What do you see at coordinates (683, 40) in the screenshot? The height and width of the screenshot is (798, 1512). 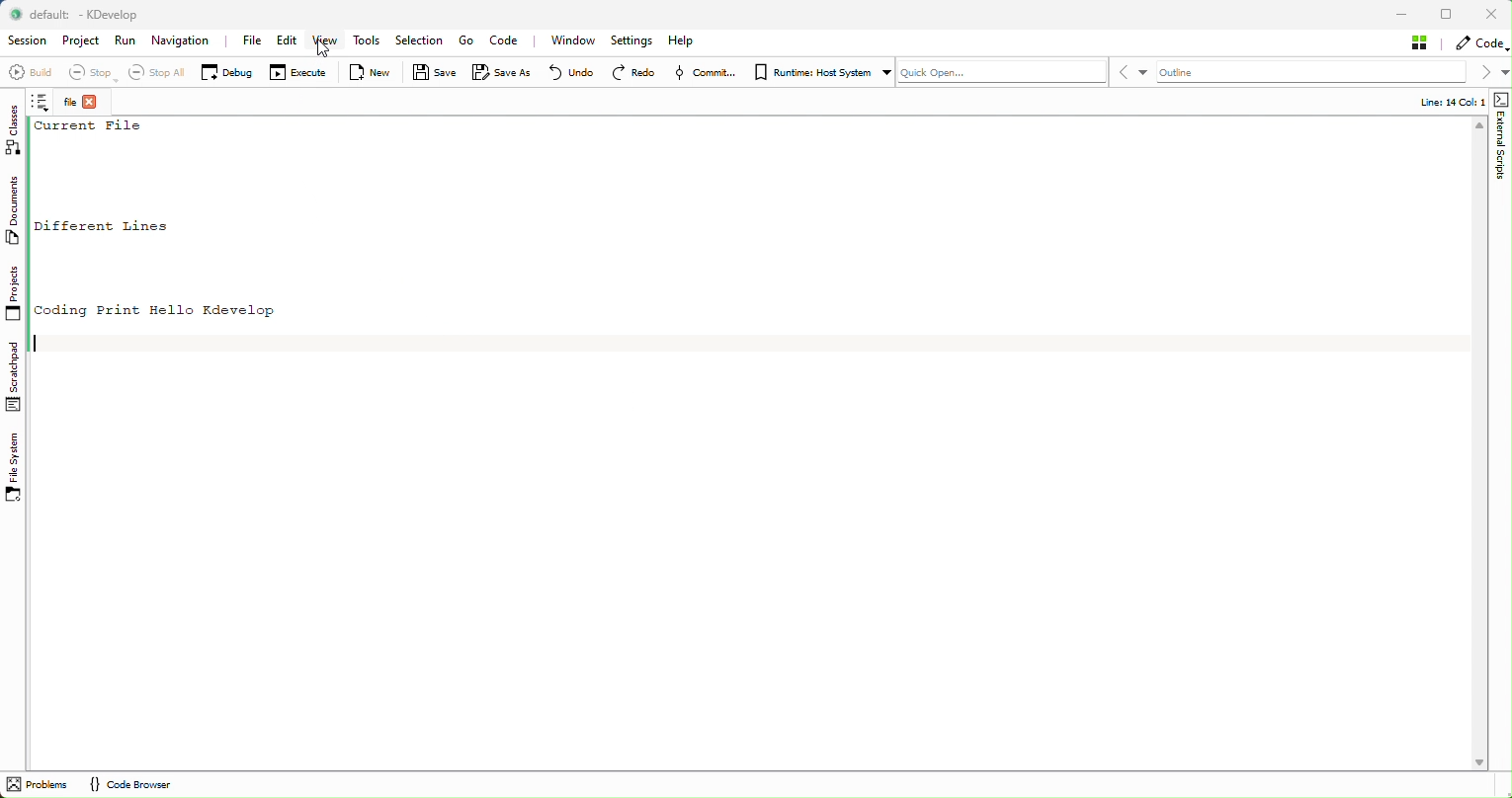 I see `Help` at bounding box center [683, 40].